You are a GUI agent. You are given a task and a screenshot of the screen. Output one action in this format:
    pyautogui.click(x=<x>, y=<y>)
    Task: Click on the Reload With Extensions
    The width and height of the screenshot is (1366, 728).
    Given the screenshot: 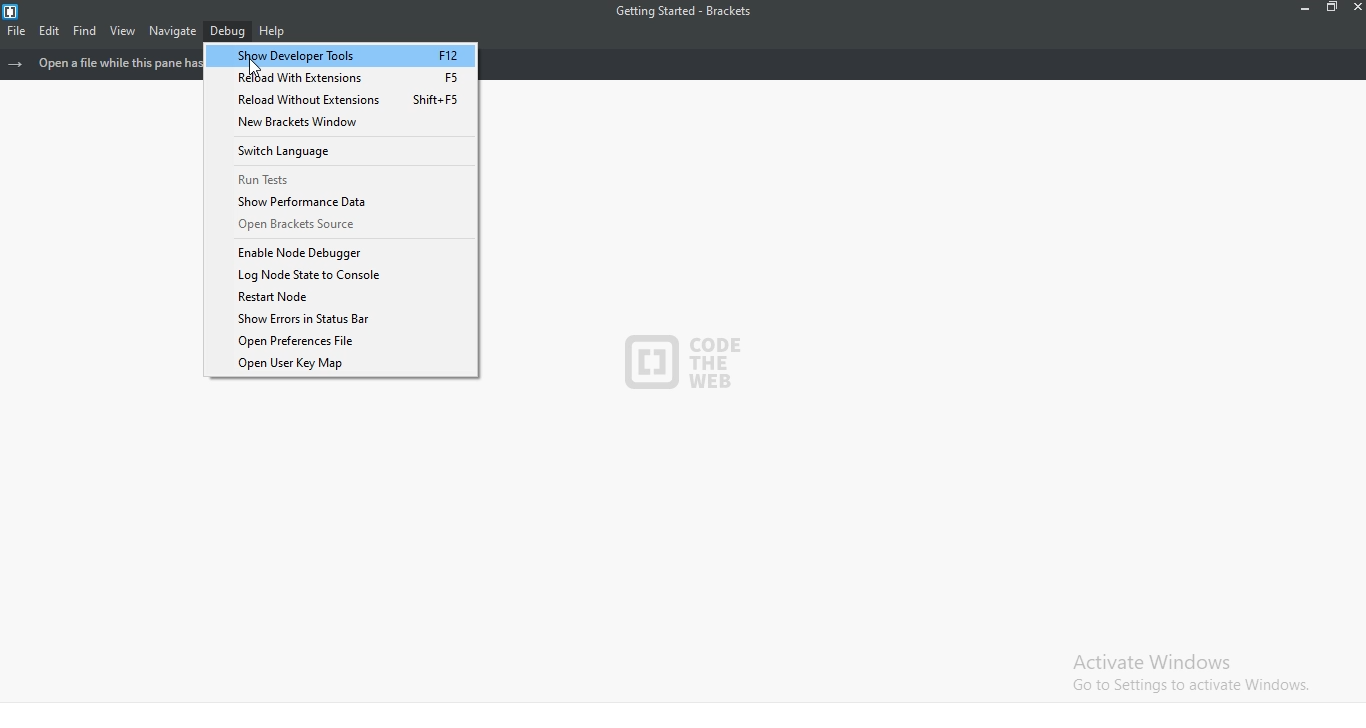 What is the action you would take?
    pyautogui.click(x=339, y=77)
    